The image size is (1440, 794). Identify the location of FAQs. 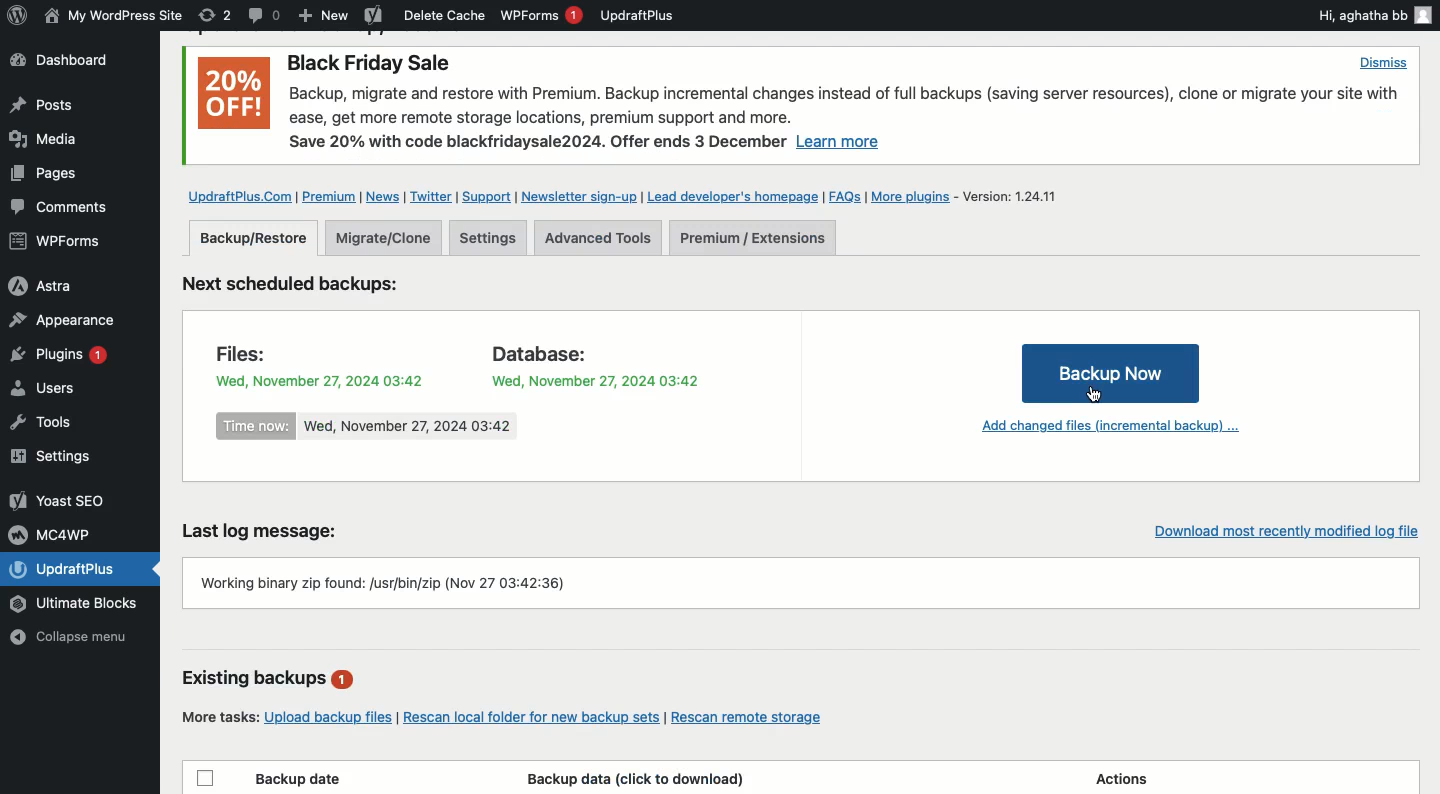
(845, 198).